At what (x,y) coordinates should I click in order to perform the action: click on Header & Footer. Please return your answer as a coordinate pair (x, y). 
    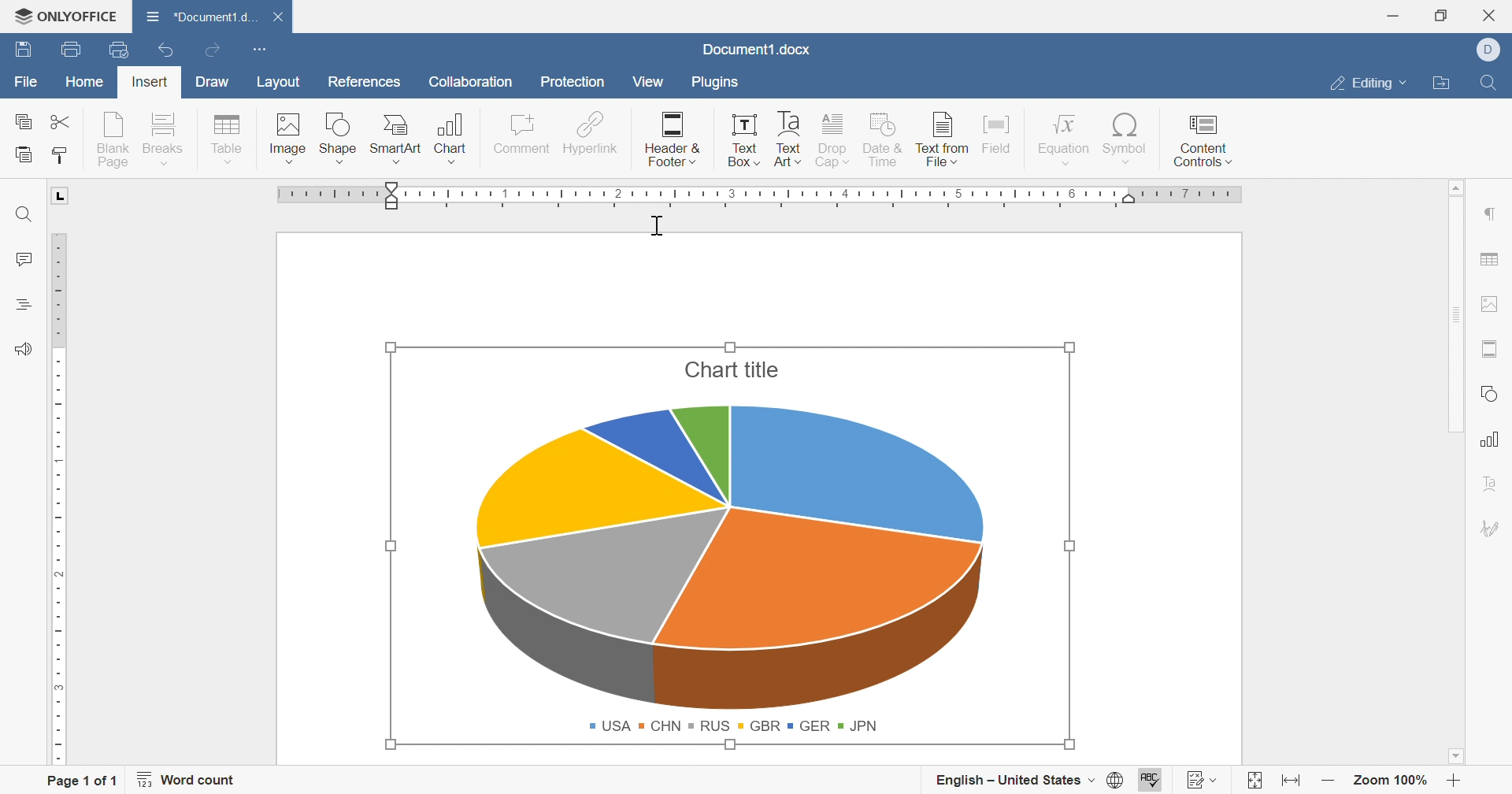
    Looking at the image, I should click on (674, 137).